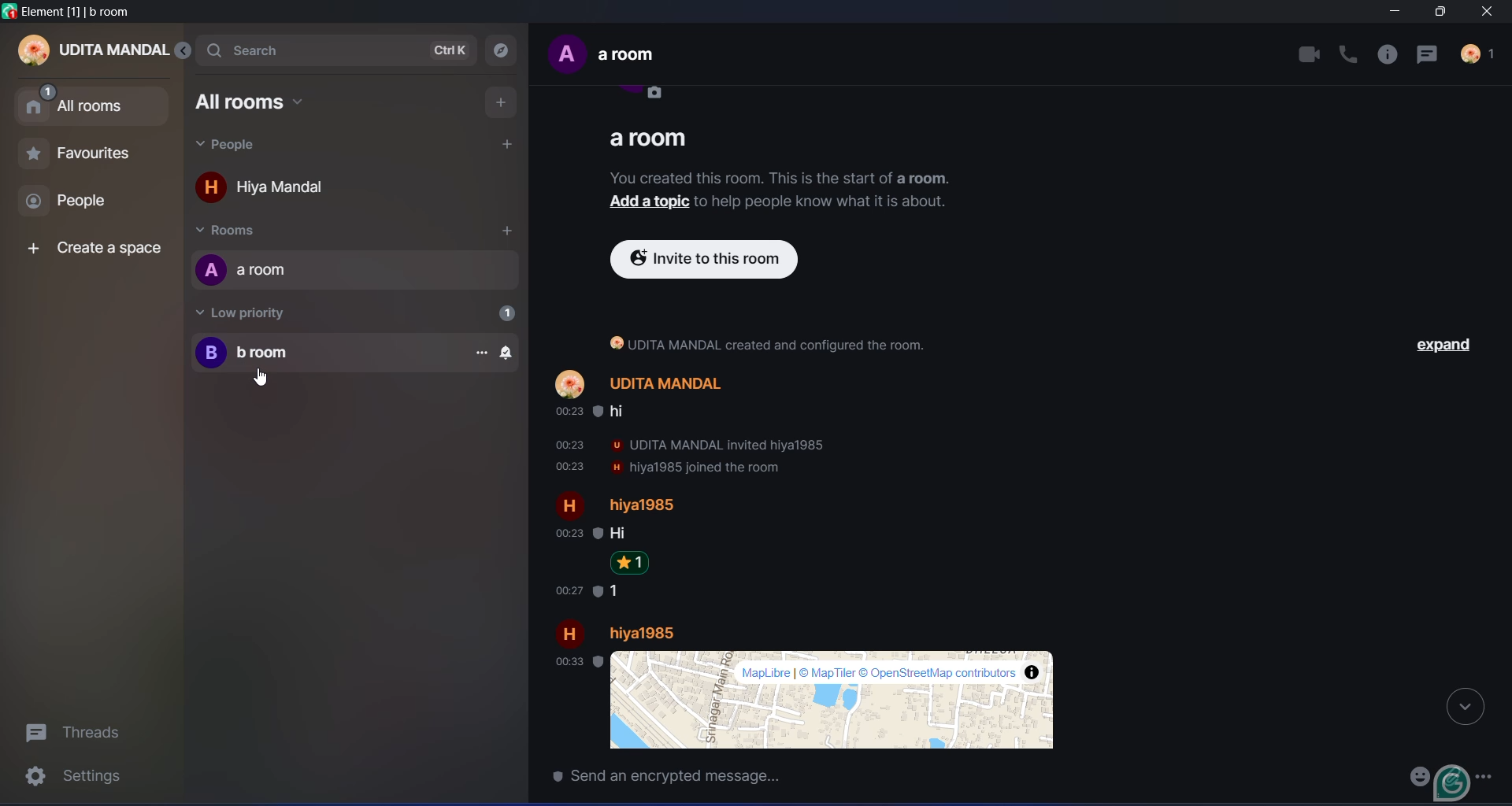  What do you see at coordinates (79, 779) in the screenshot?
I see `Settings` at bounding box center [79, 779].